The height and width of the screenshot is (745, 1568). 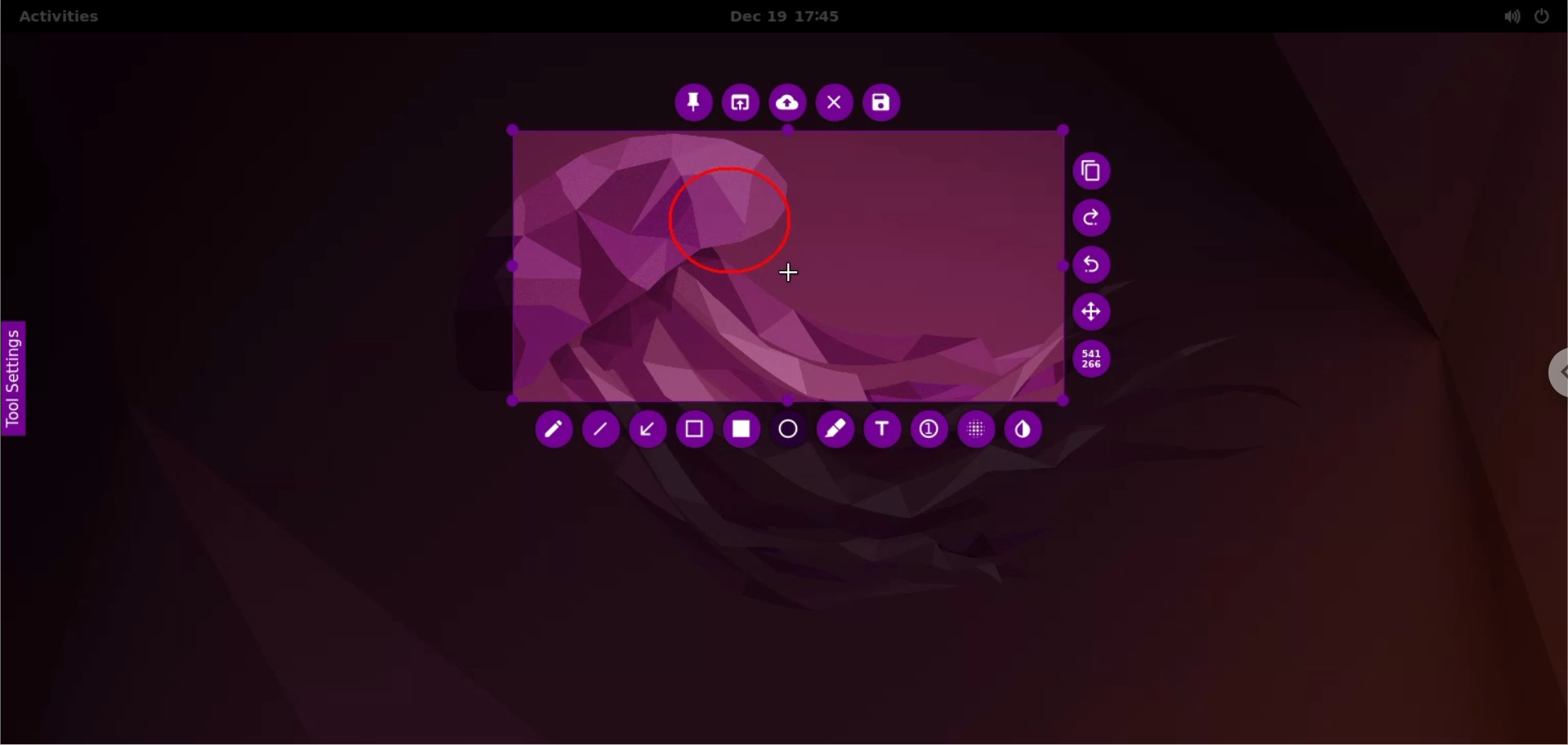 What do you see at coordinates (834, 105) in the screenshot?
I see `cancel capture` at bounding box center [834, 105].